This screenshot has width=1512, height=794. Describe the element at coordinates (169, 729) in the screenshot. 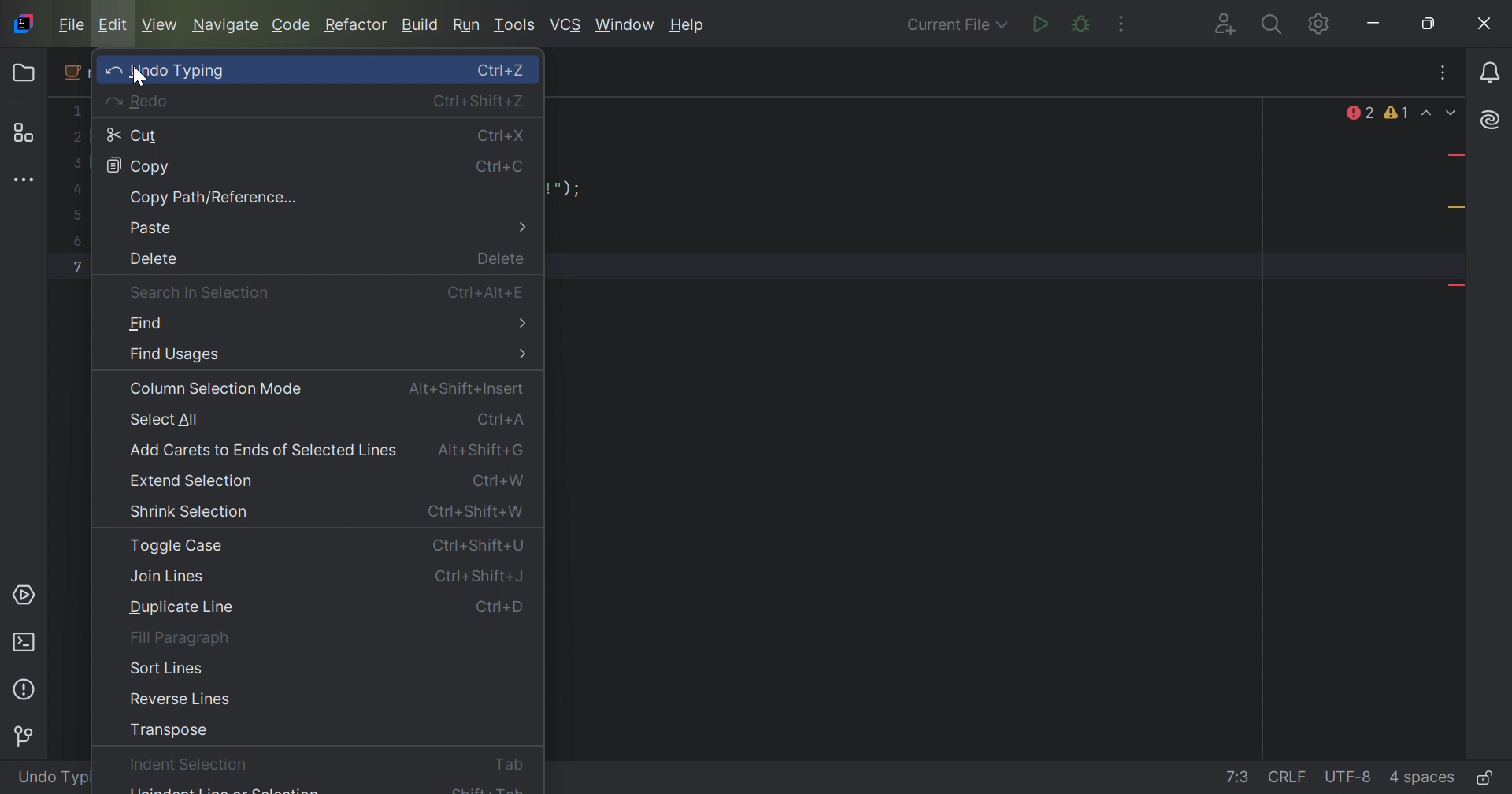

I see `Transpose` at that location.